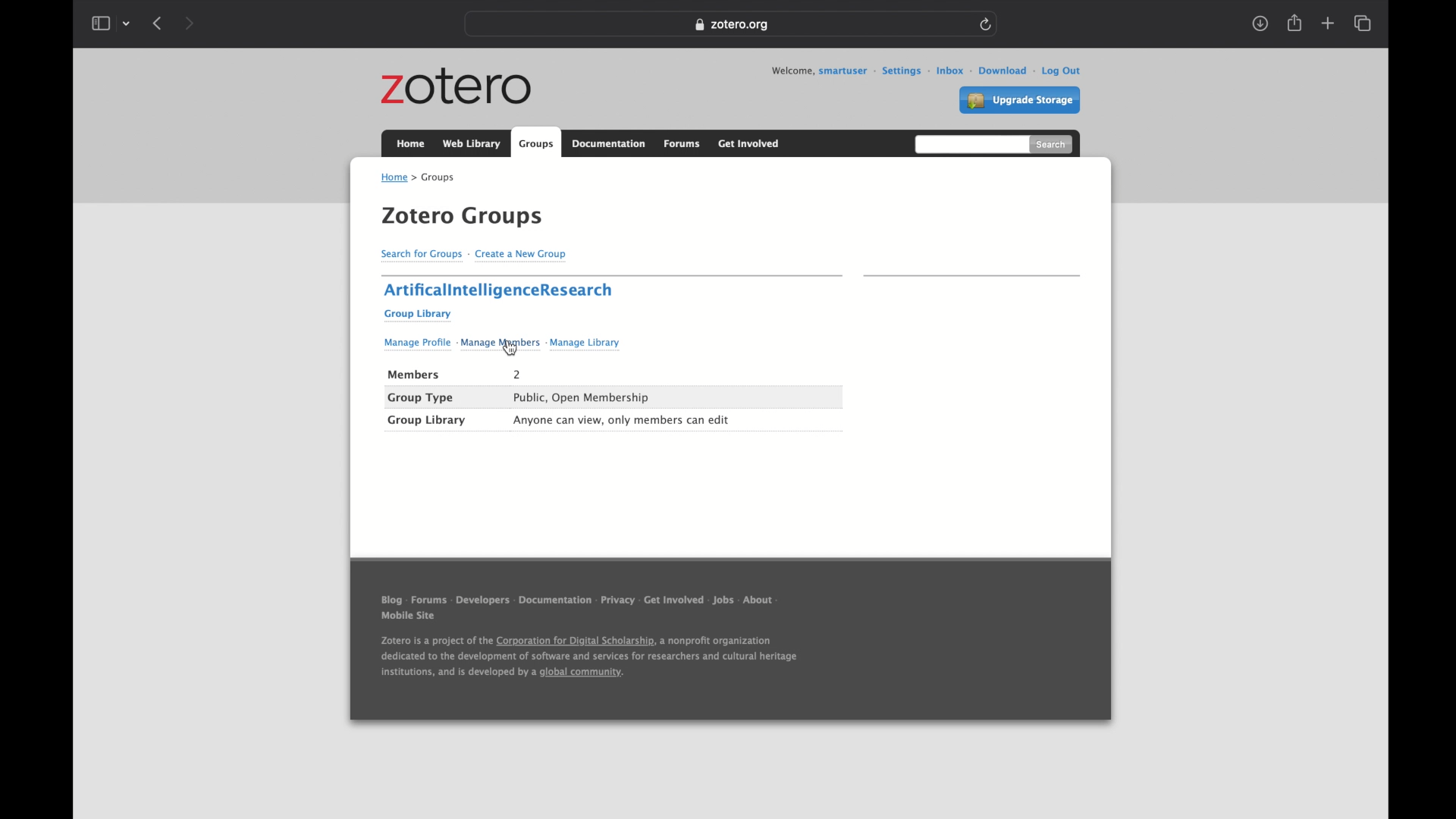 This screenshot has width=1456, height=819. I want to click on show sidebar, so click(100, 24).